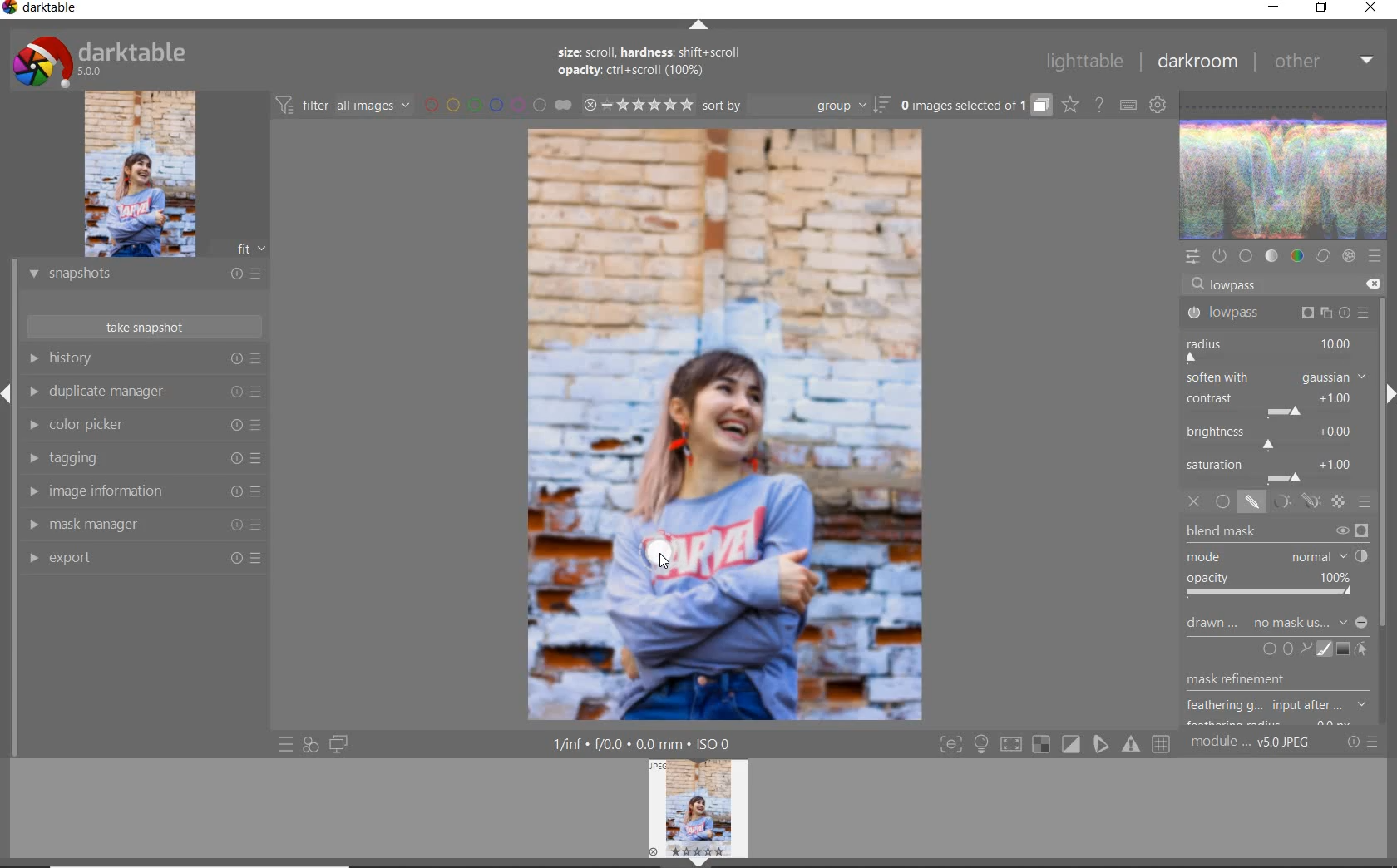 The height and width of the screenshot is (868, 1397). I want to click on color picker, so click(141, 427).